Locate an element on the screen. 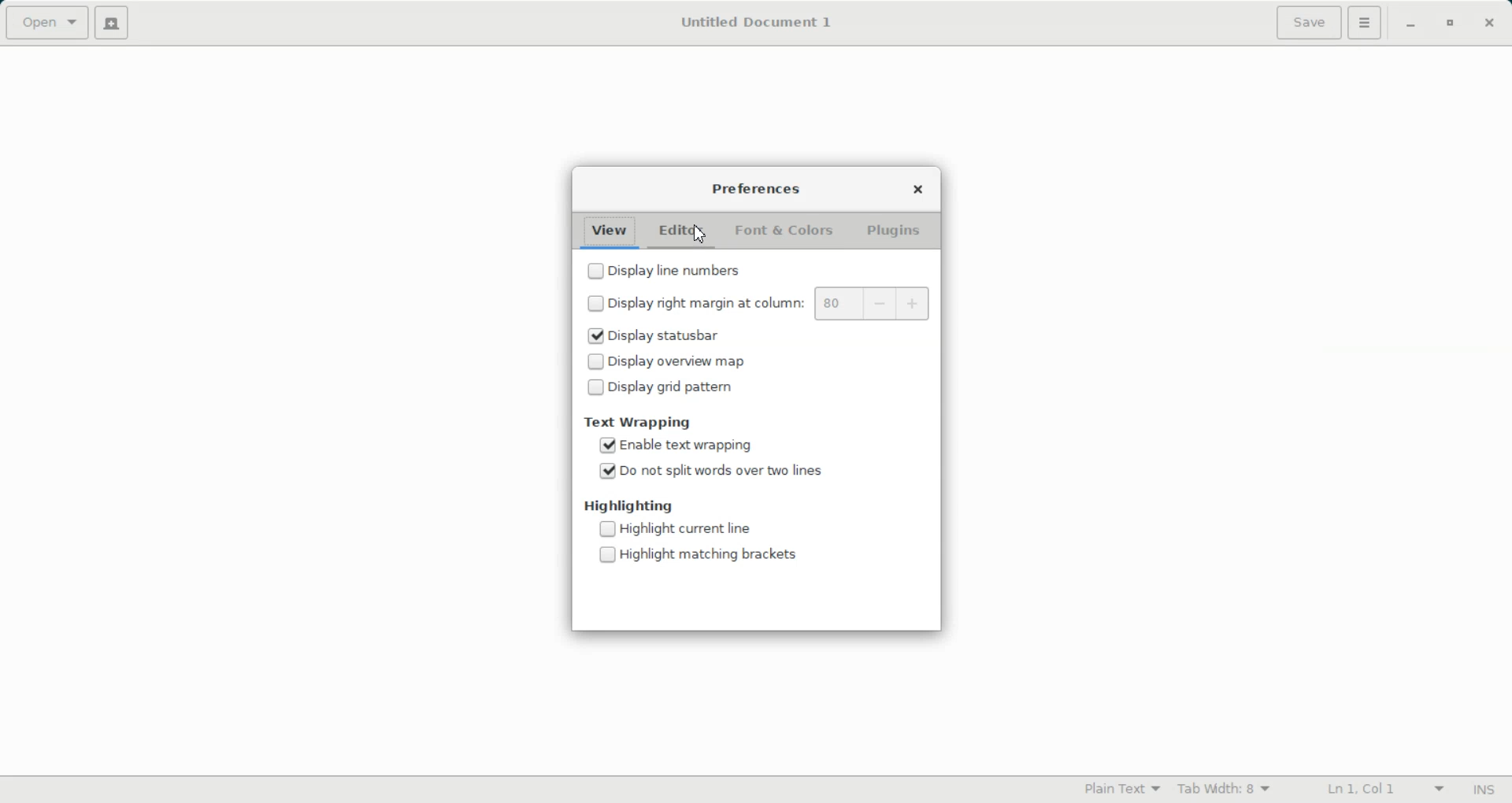 This screenshot has width=1512, height=803. Text Wrapping is located at coordinates (639, 422).